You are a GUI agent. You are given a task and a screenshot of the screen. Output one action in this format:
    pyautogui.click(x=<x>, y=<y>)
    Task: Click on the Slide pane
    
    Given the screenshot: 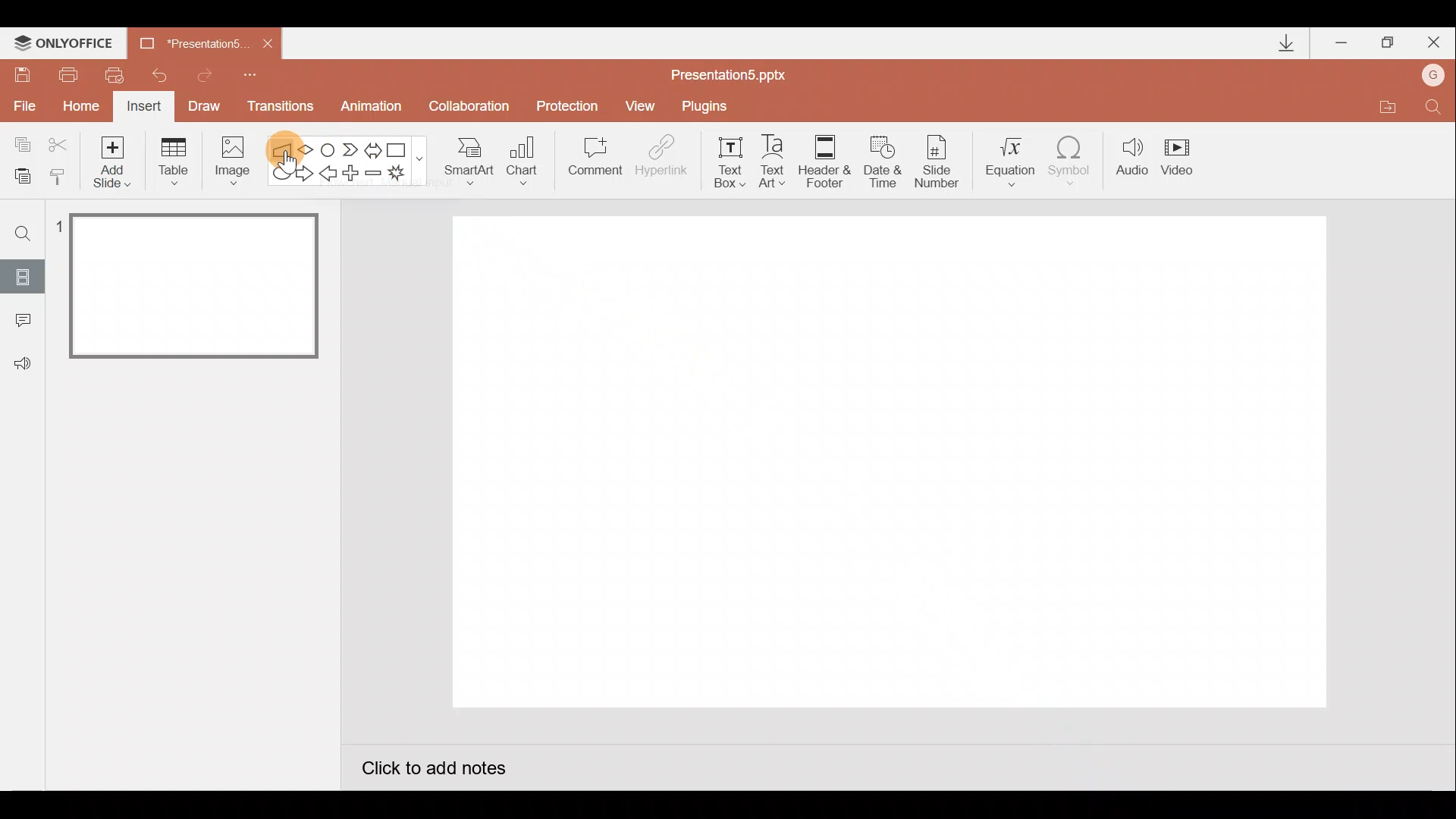 What is the action you would take?
    pyautogui.click(x=196, y=439)
    